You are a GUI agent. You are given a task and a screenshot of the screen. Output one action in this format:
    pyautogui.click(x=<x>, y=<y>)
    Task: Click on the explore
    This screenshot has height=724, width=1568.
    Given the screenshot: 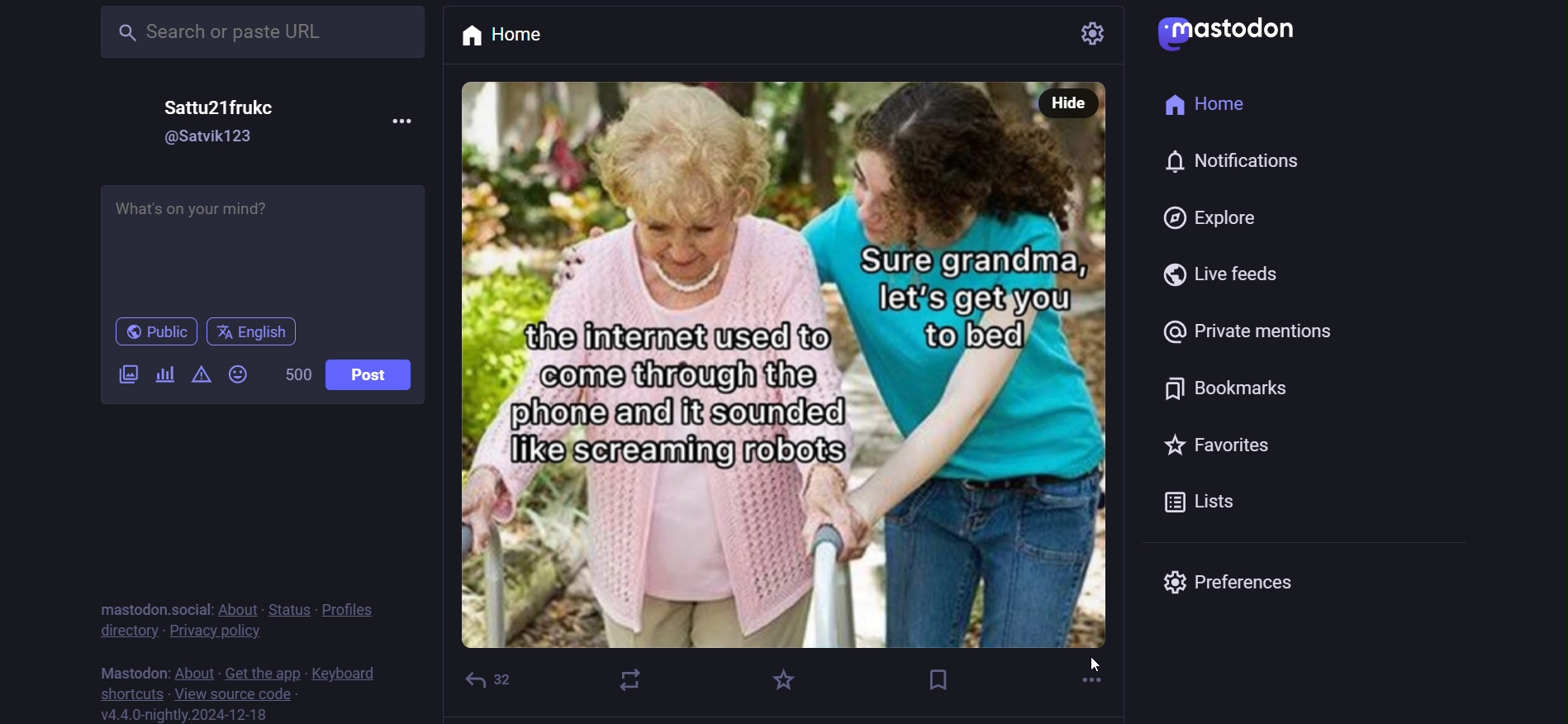 What is the action you would take?
    pyautogui.click(x=1200, y=217)
    